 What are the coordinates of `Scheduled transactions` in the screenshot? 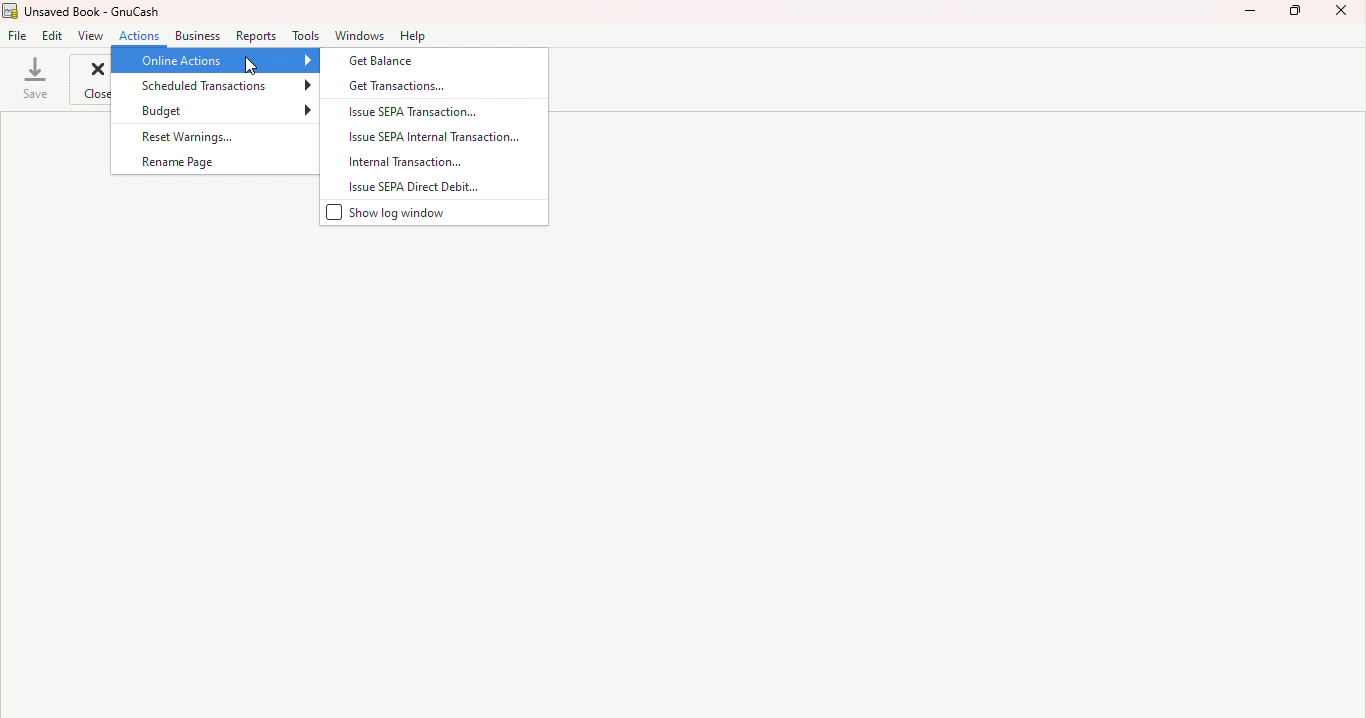 It's located at (212, 86).